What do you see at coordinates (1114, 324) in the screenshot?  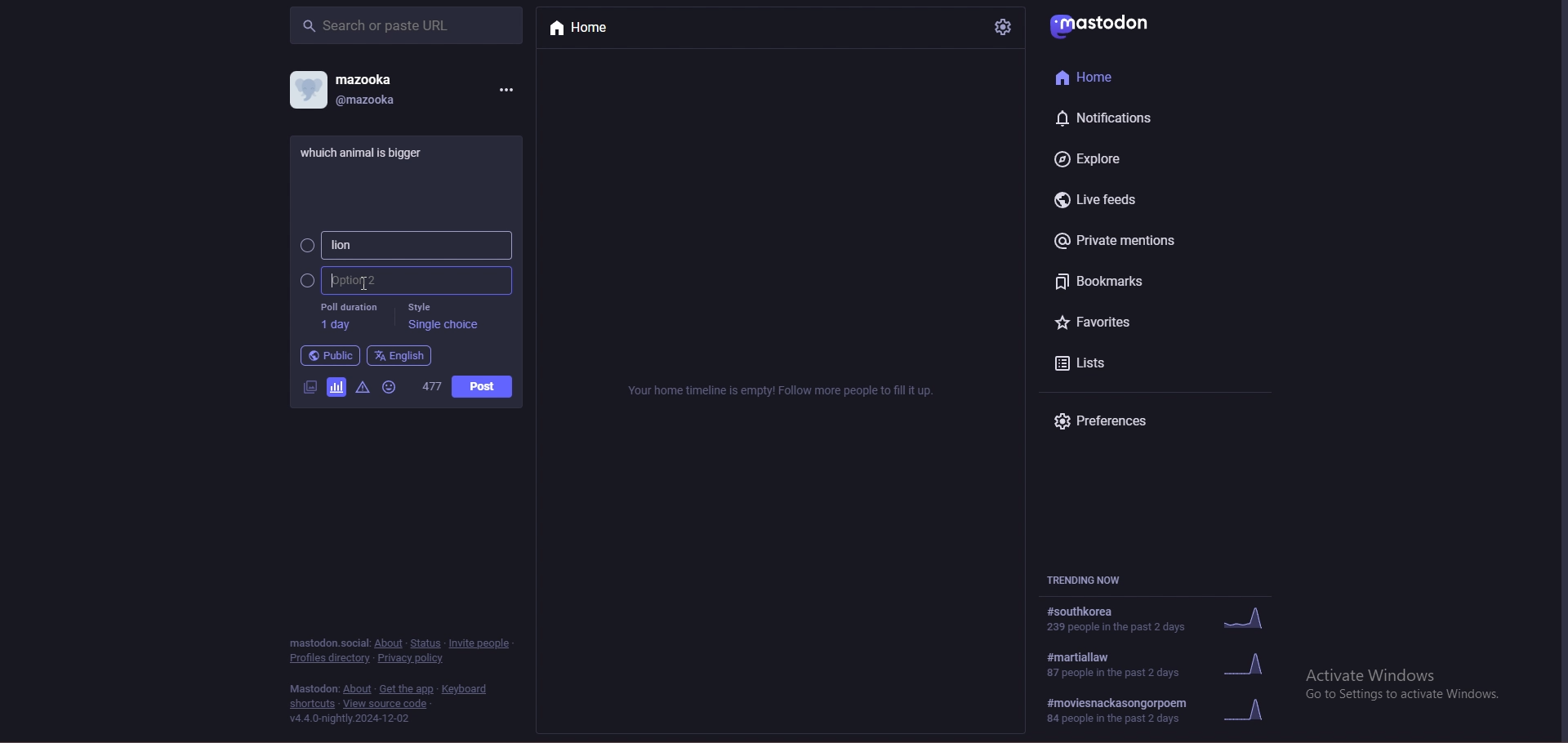 I see `favorites` at bounding box center [1114, 324].